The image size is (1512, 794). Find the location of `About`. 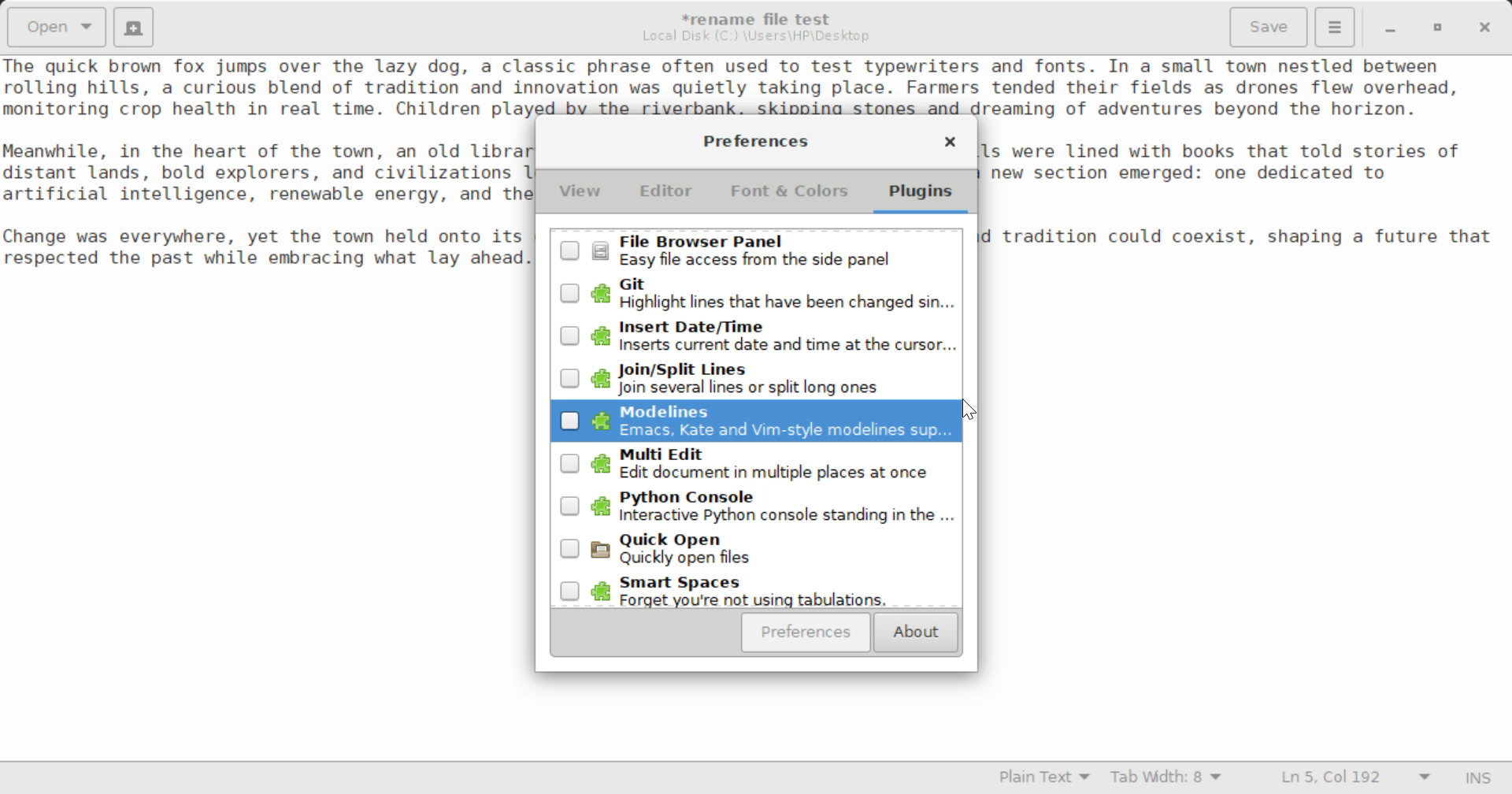

About is located at coordinates (913, 633).